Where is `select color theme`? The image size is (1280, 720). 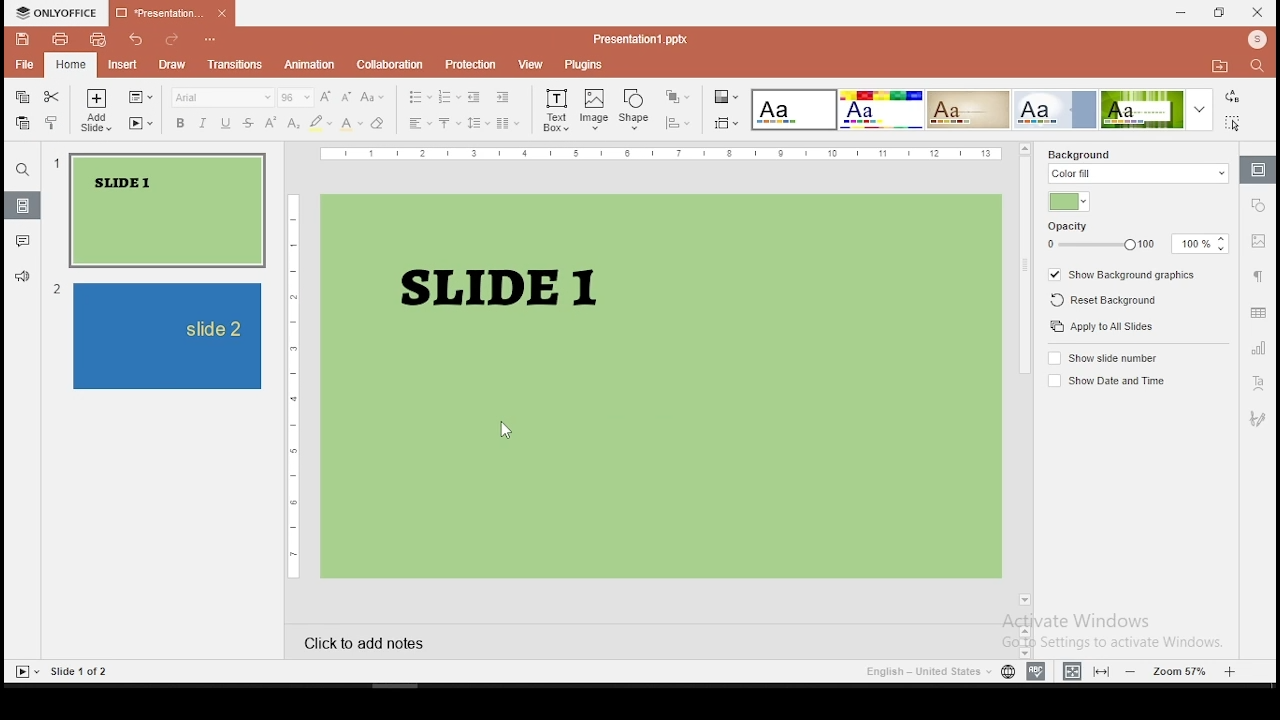
select color theme is located at coordinates (880, 109).